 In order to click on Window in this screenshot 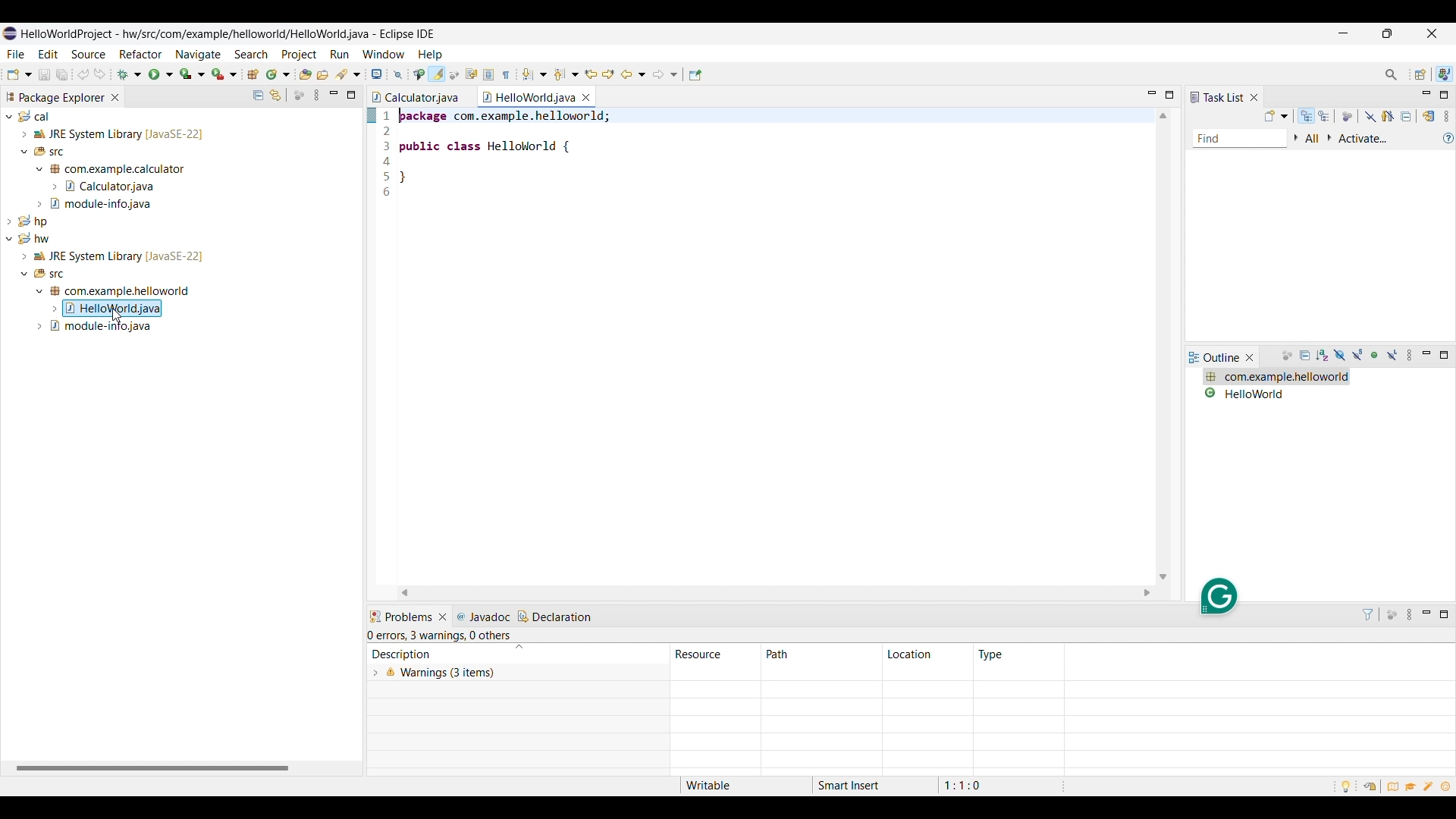, I will do `click(384, 54)`.